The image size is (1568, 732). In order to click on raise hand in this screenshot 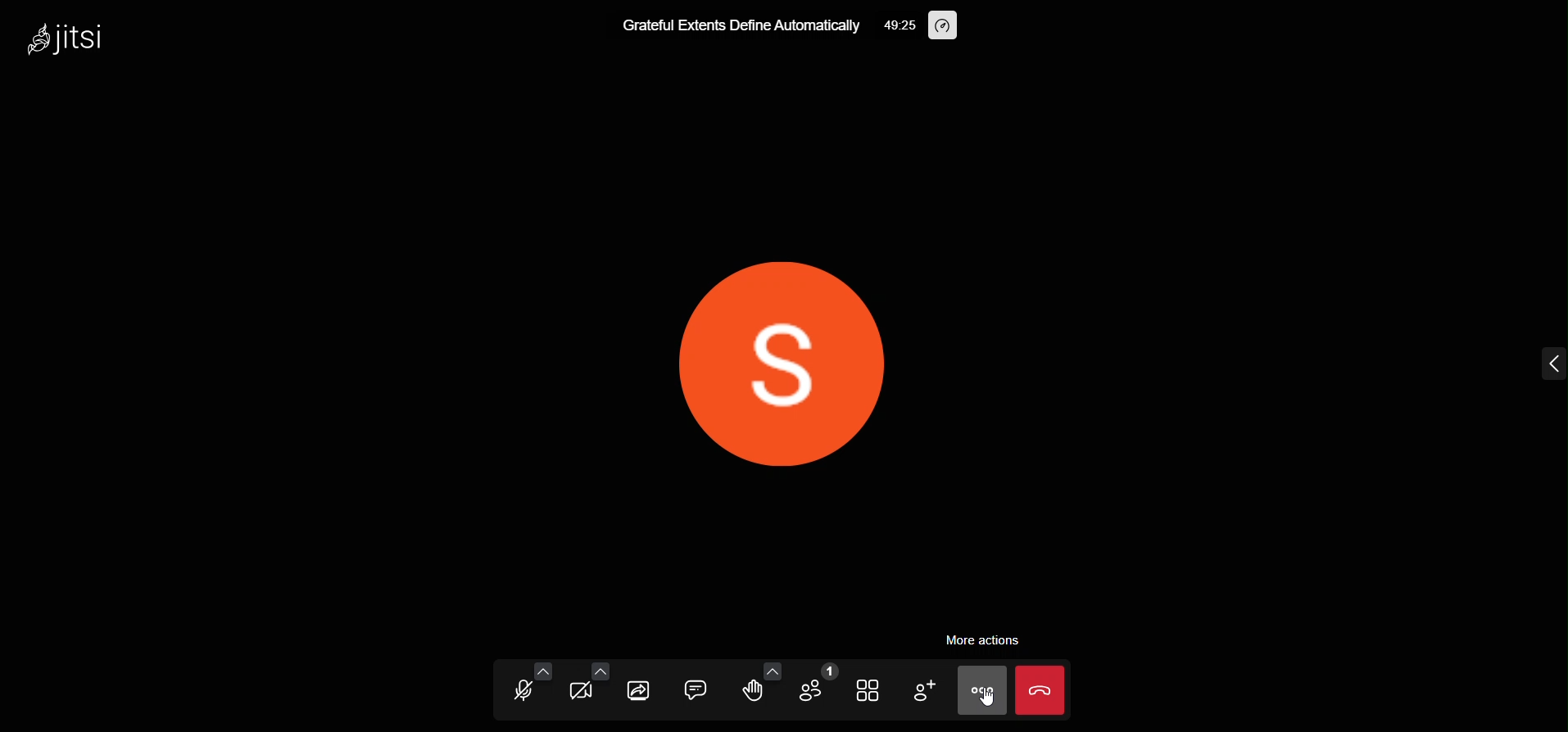, I will do `click(750, 693)`.